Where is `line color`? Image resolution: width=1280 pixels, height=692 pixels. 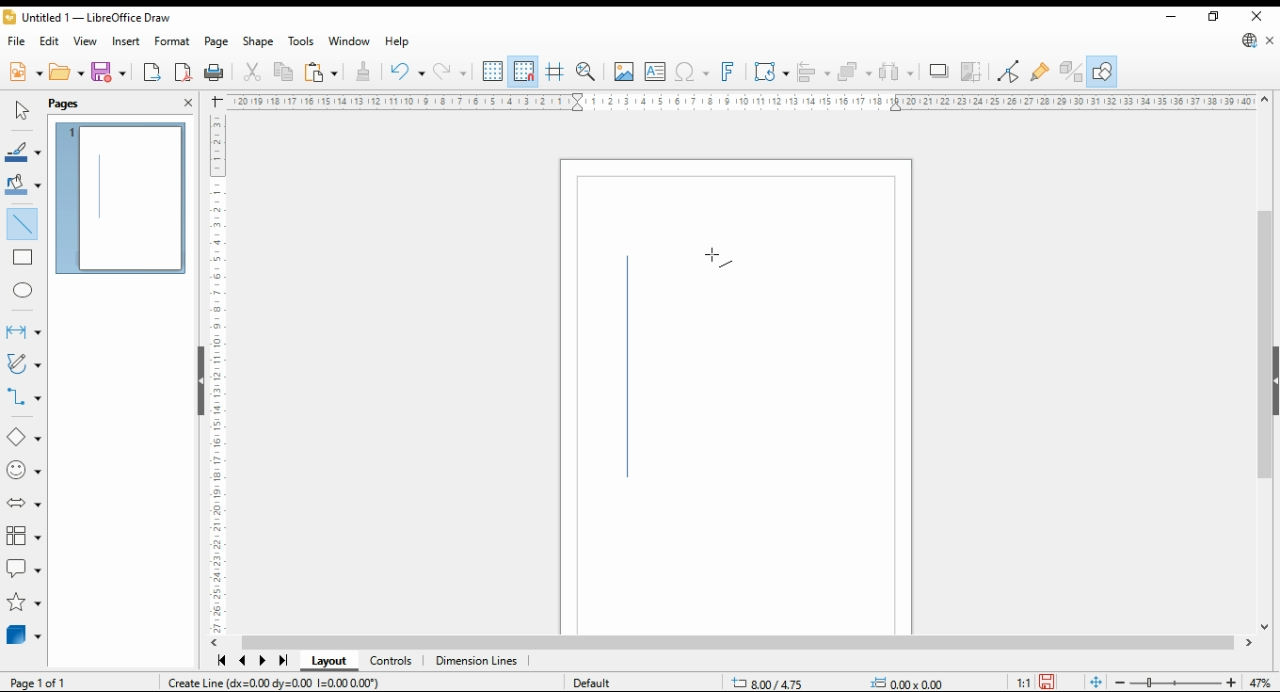
line color is located at coordinates (24, 152).